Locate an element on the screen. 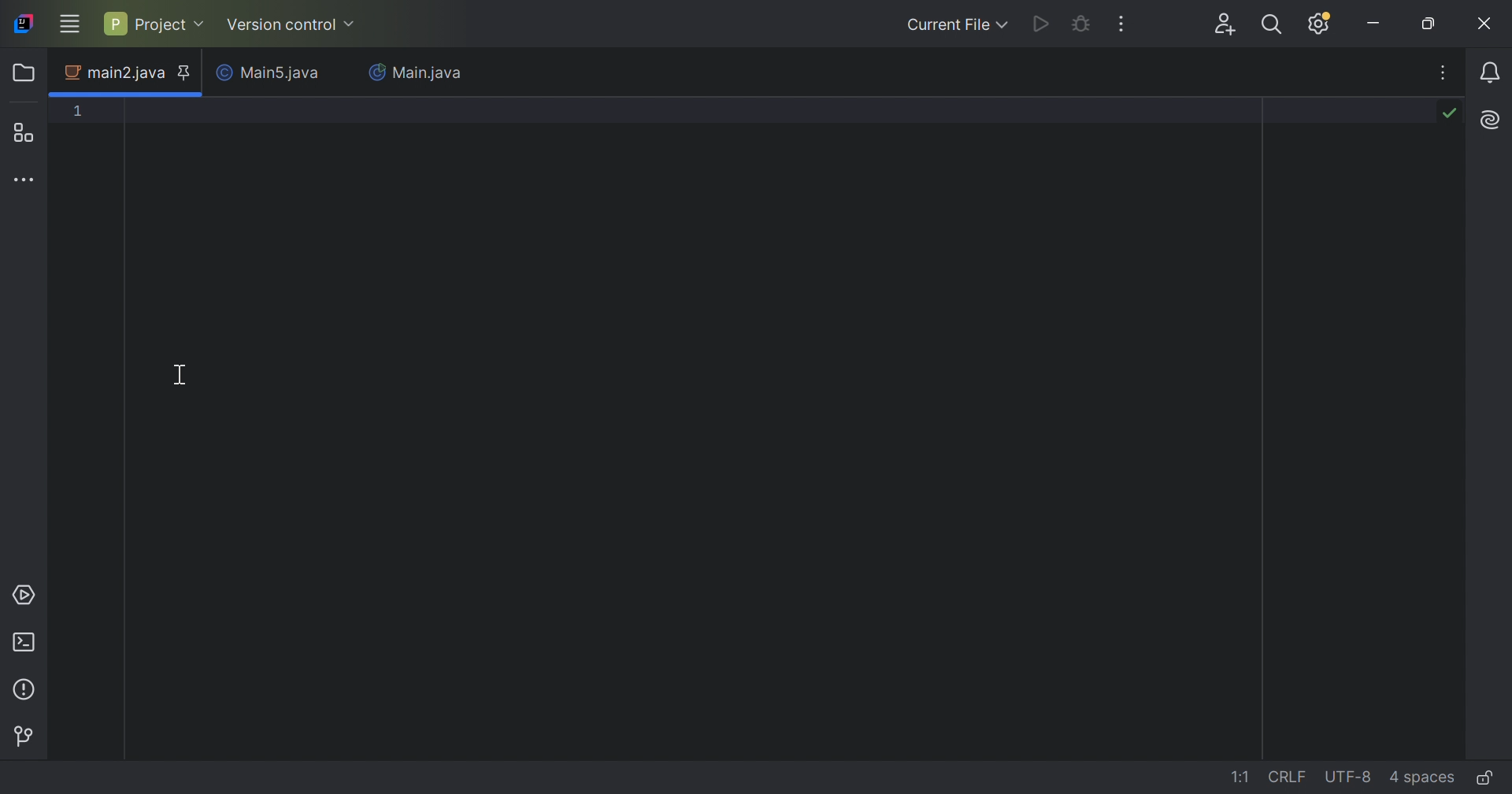  Debug is located at coordinates (1080, 24).